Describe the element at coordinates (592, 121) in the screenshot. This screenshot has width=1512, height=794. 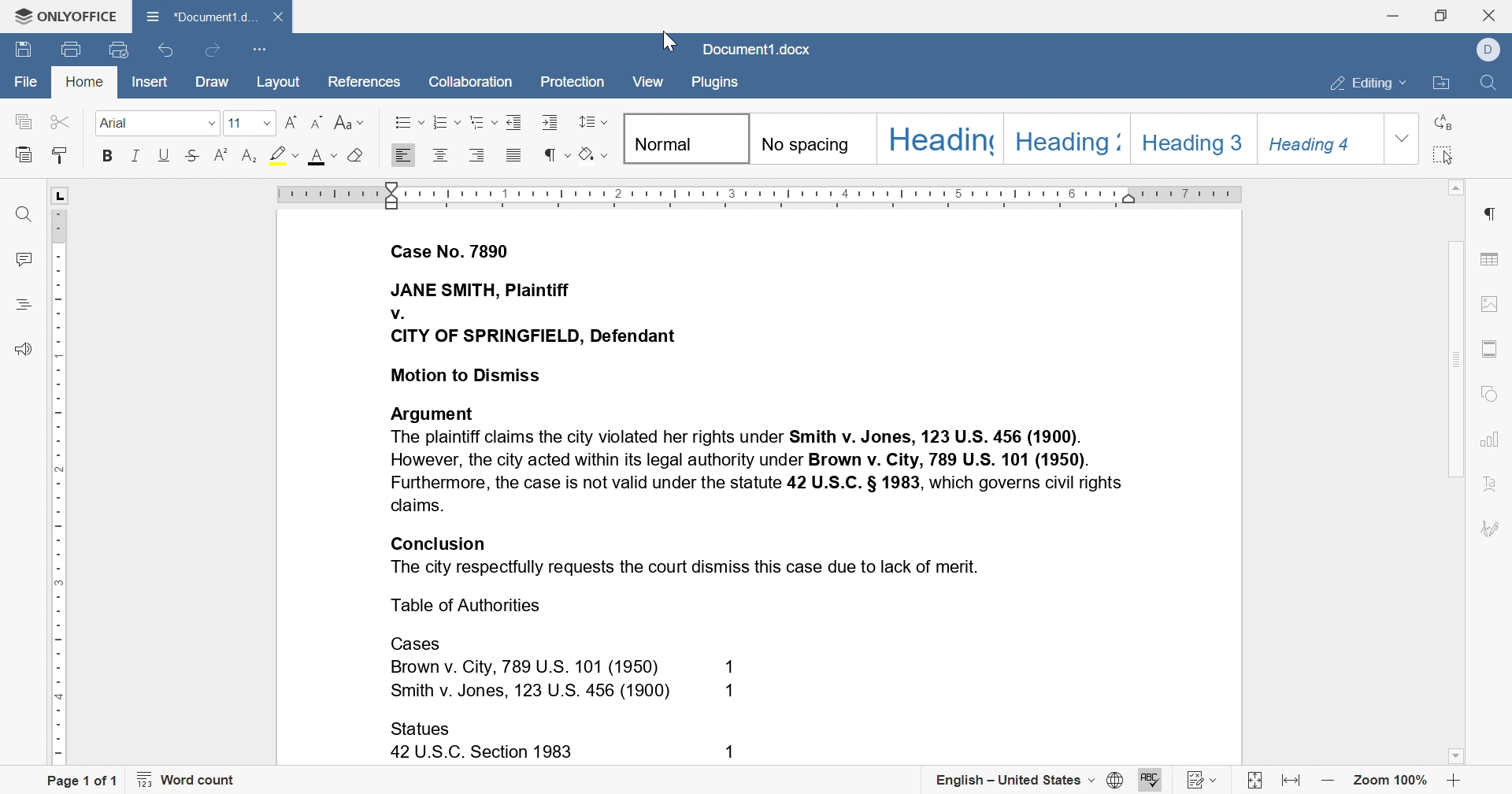
I see `paragraph line spacing` at that location.